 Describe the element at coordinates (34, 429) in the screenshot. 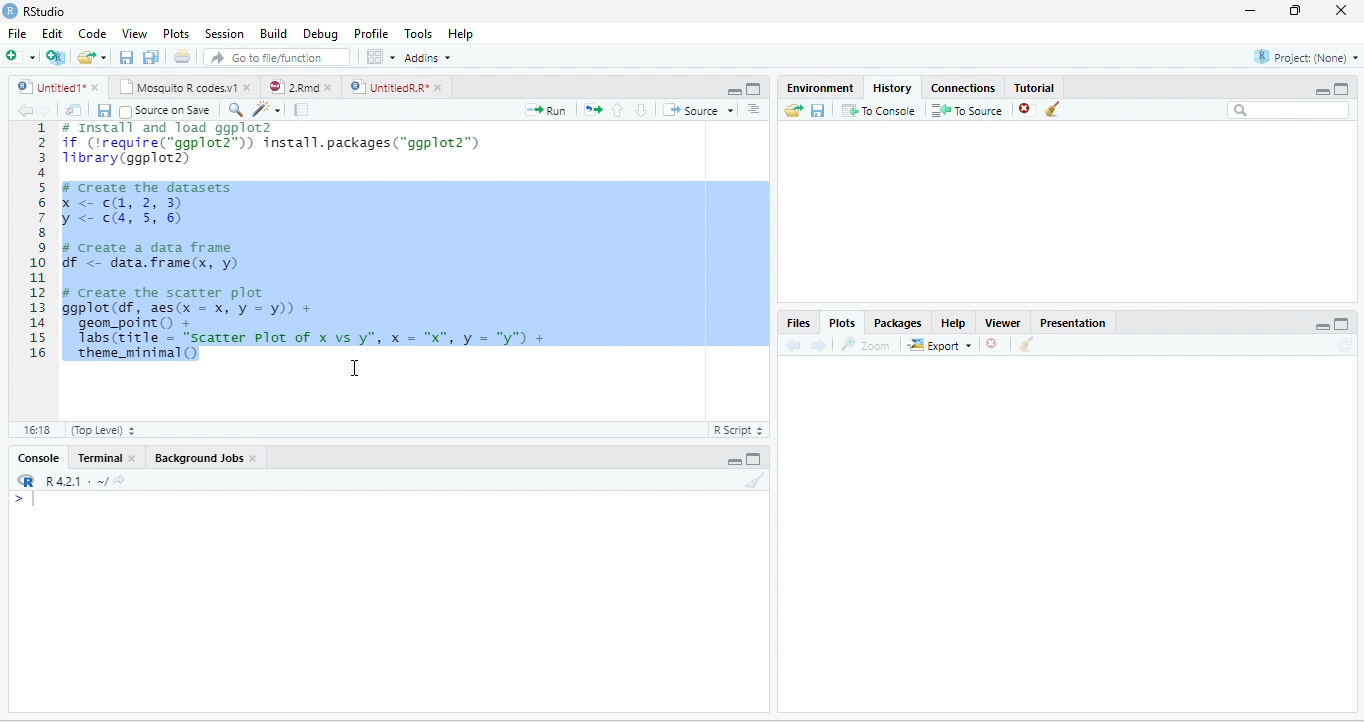

I see `1:1` at that location.